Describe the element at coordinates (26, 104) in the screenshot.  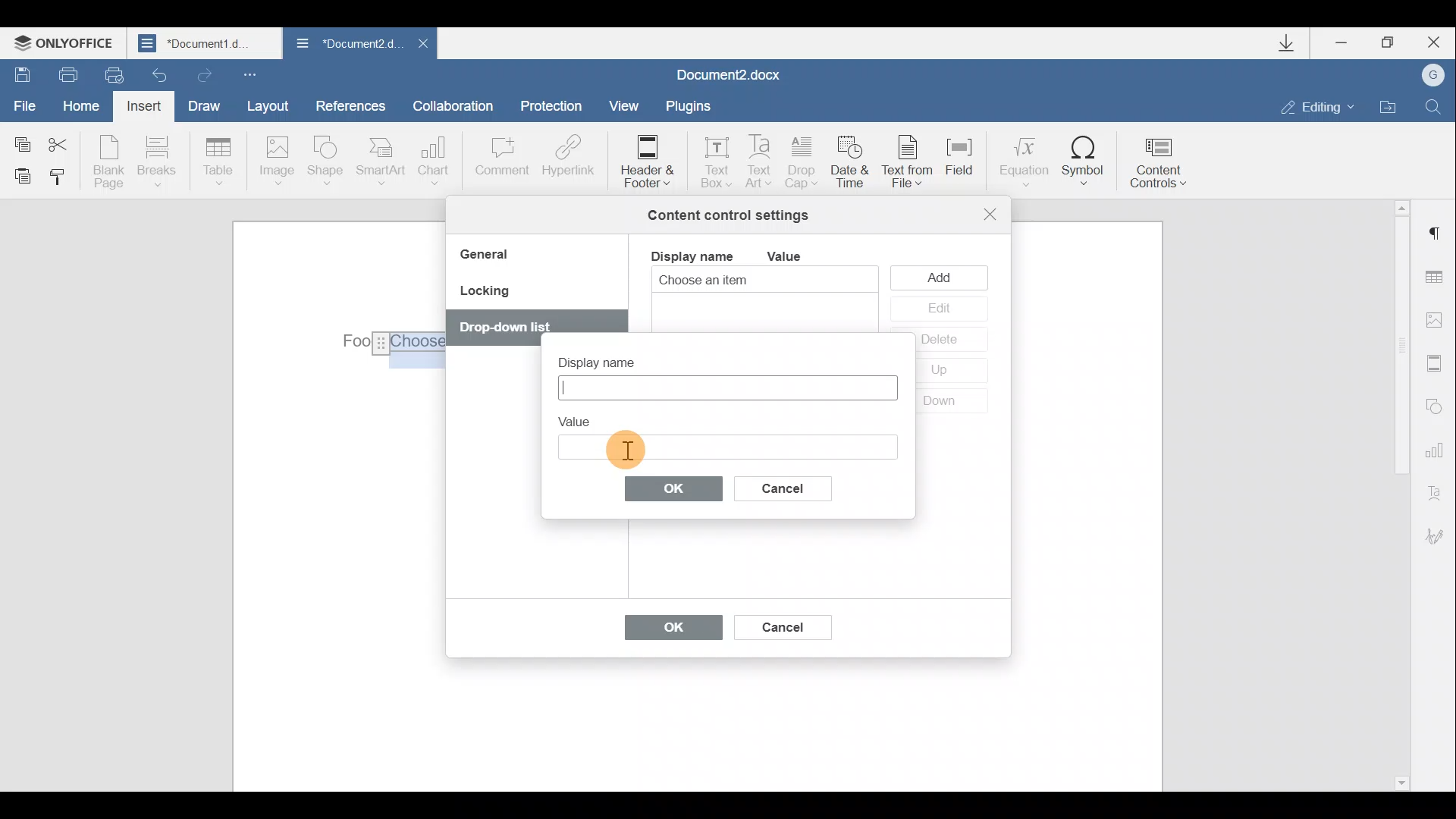
I see `File` at that location.